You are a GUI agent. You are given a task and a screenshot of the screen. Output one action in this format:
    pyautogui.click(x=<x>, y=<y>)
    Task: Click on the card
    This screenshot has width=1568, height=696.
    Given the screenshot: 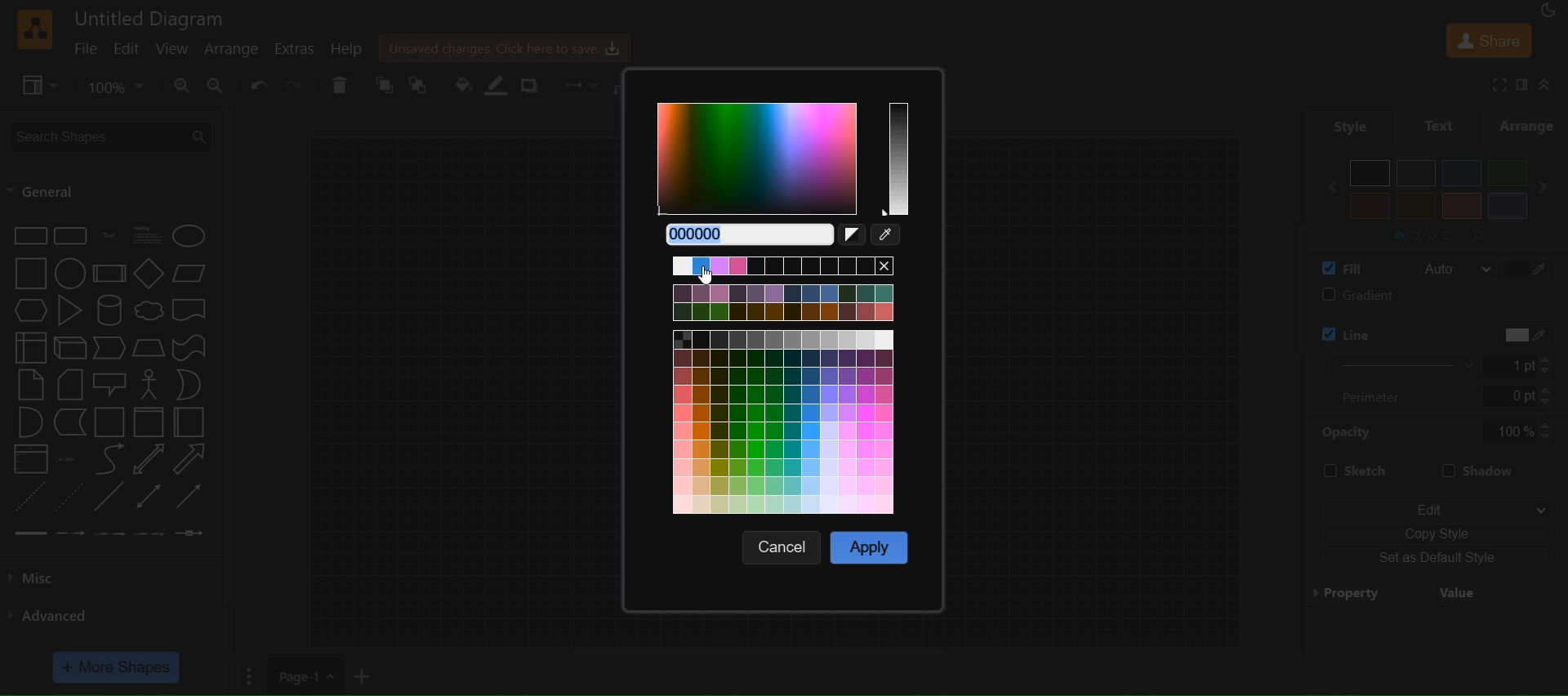 What is the action you would take?
    pyautogui.click(x=70, y=386)
    